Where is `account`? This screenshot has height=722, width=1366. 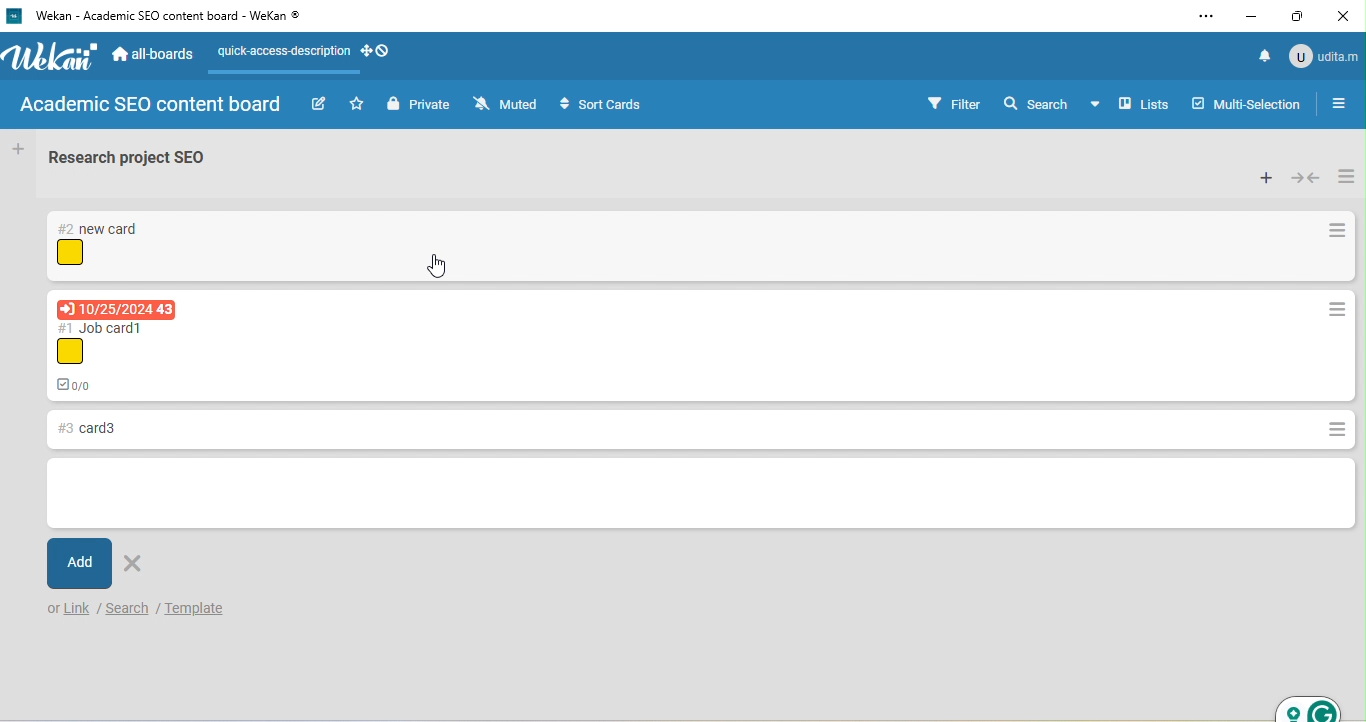
account is located at coordinates (1322, 55).